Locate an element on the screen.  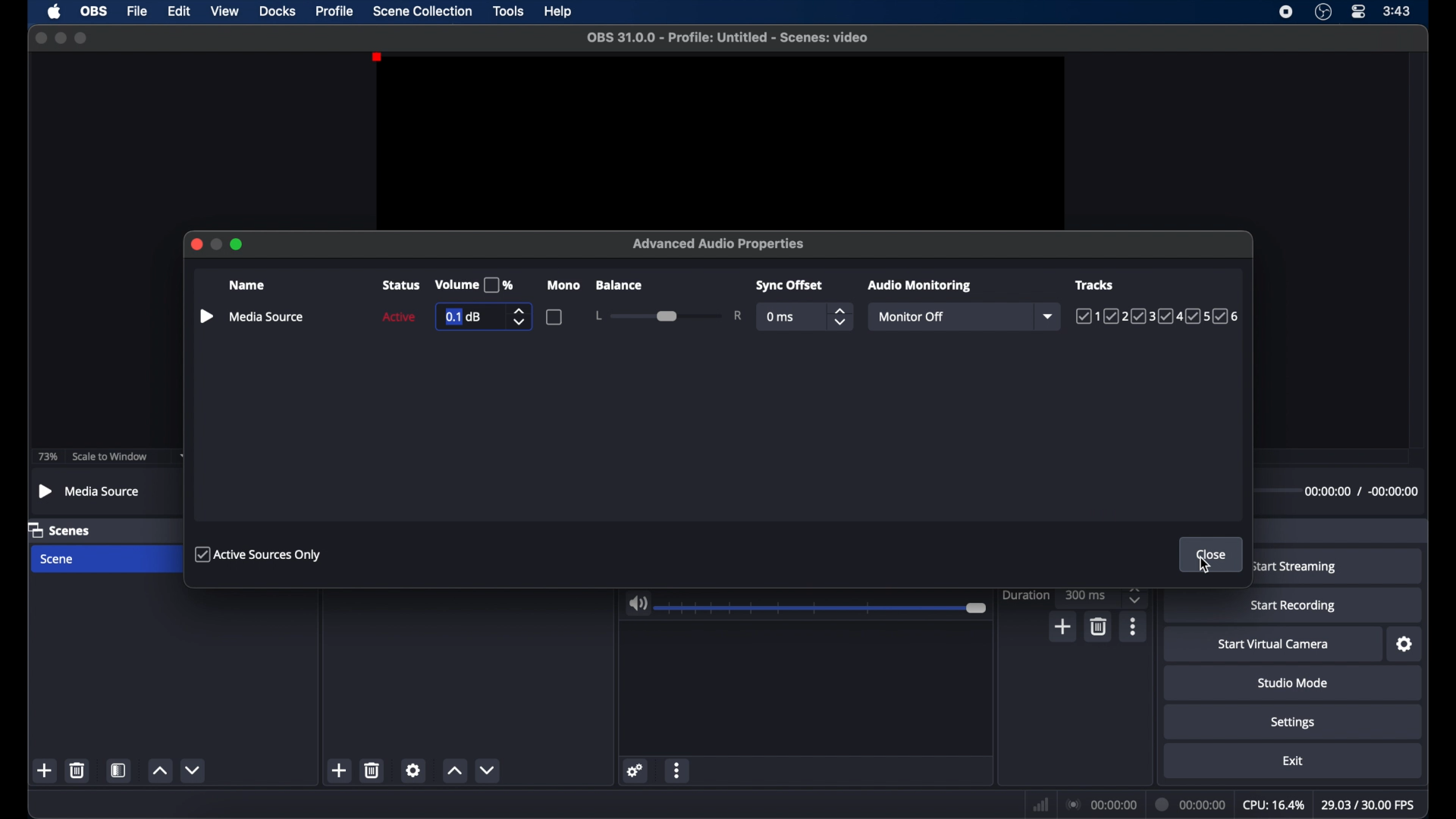
scale  to window is located at coordinates (110, 457).